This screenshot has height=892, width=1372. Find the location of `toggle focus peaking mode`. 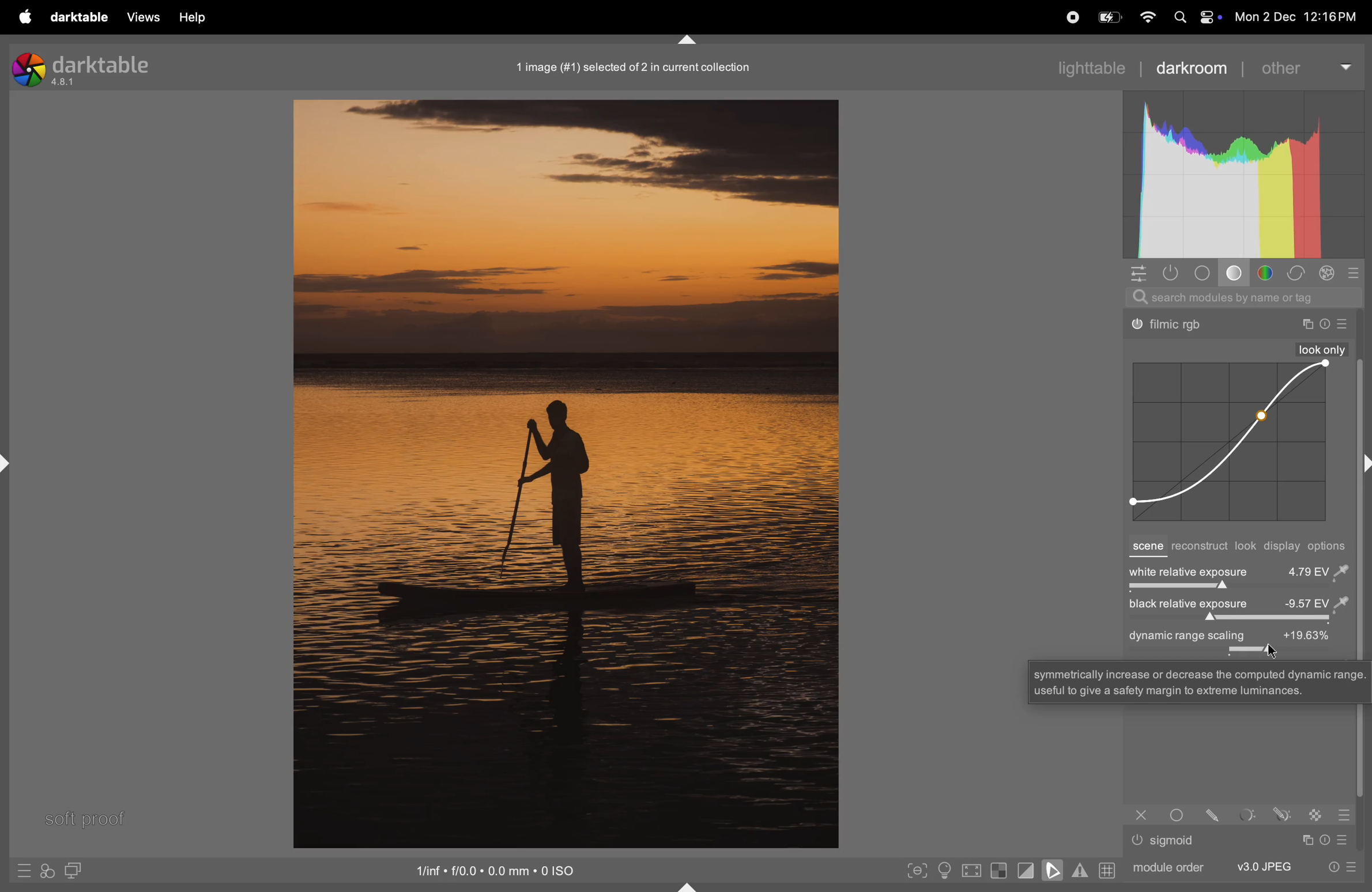

toggle focus peaking mode is located at coordinates (918, 869).